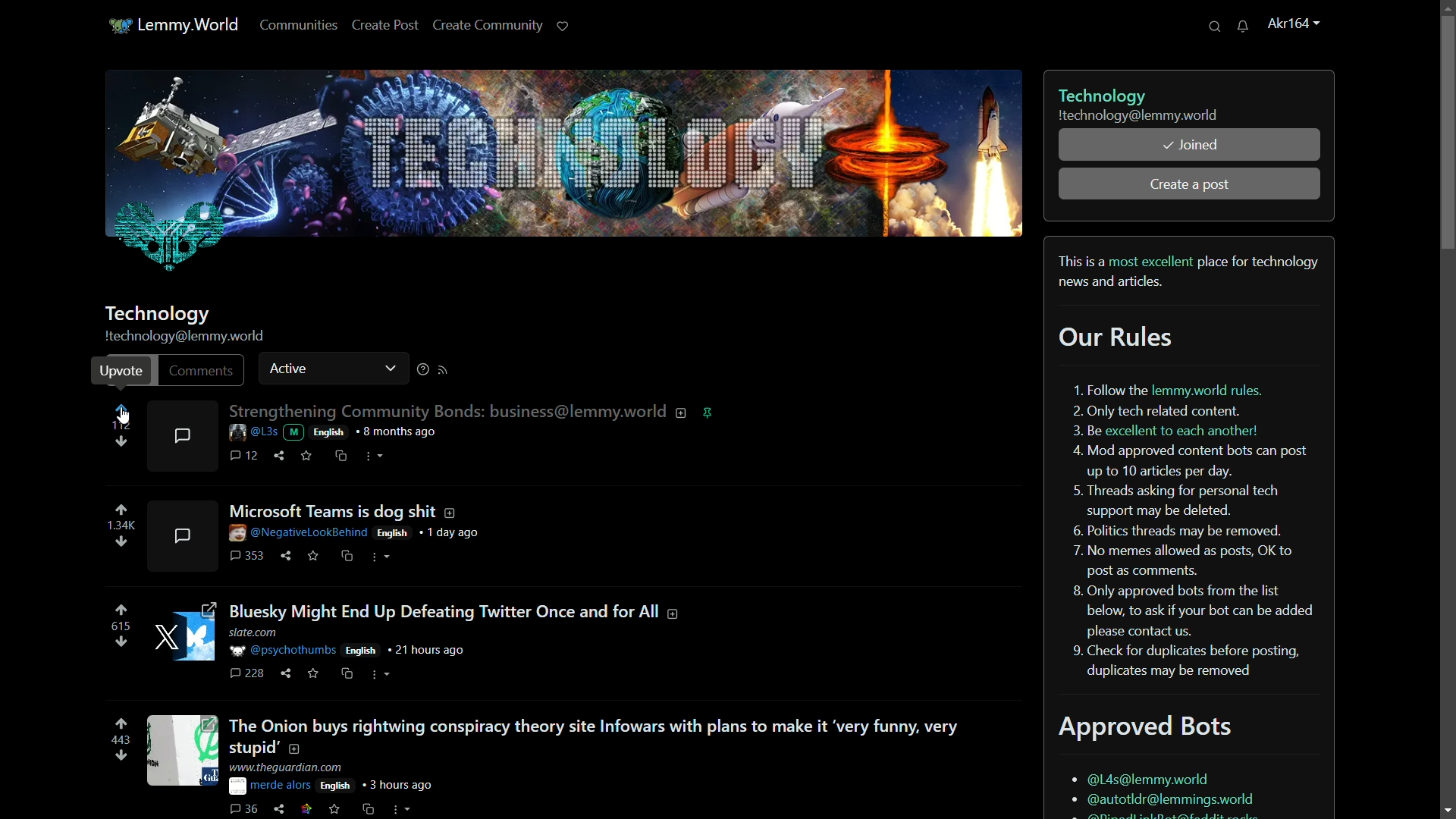 The width and height of the screenshot is (1456, 819). What do you see at coordinates (456, 611) in the screenshot?
I see `post-3` at bounding box center [456, 611].